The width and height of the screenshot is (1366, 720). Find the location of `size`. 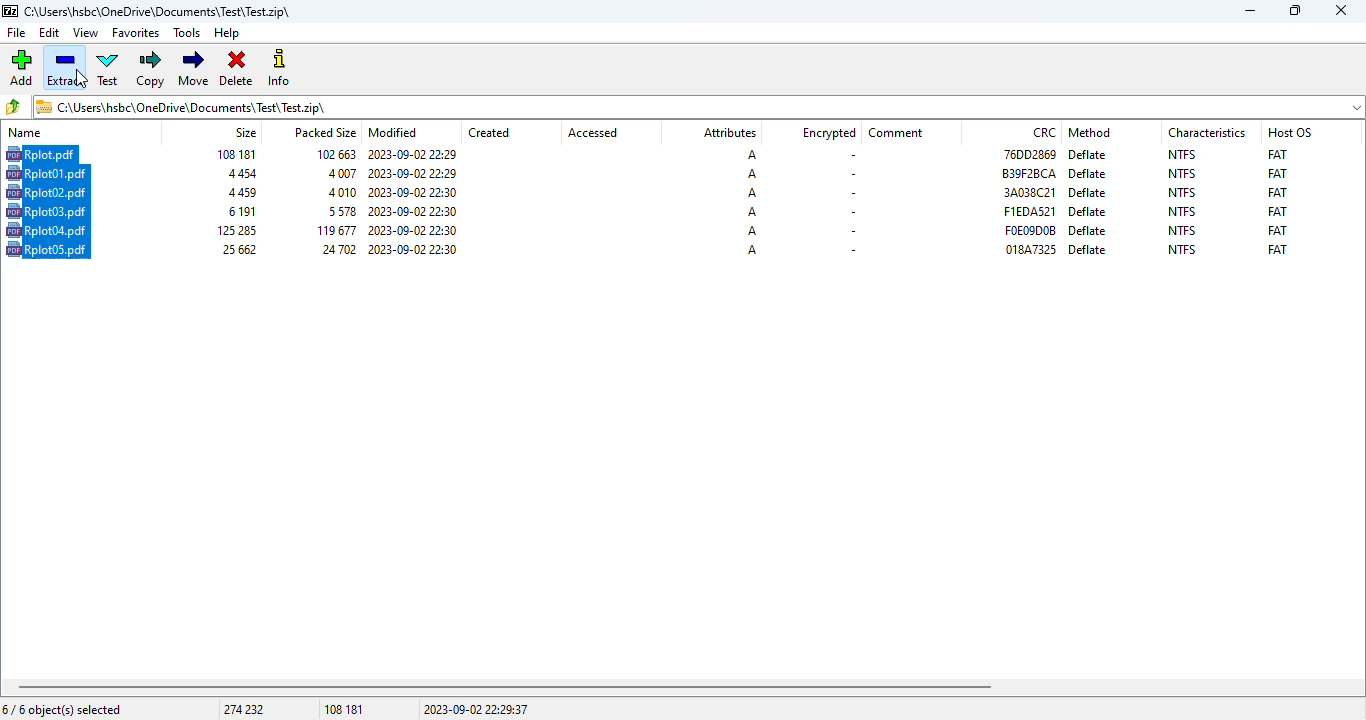

size is located at coordinates (240, 193).